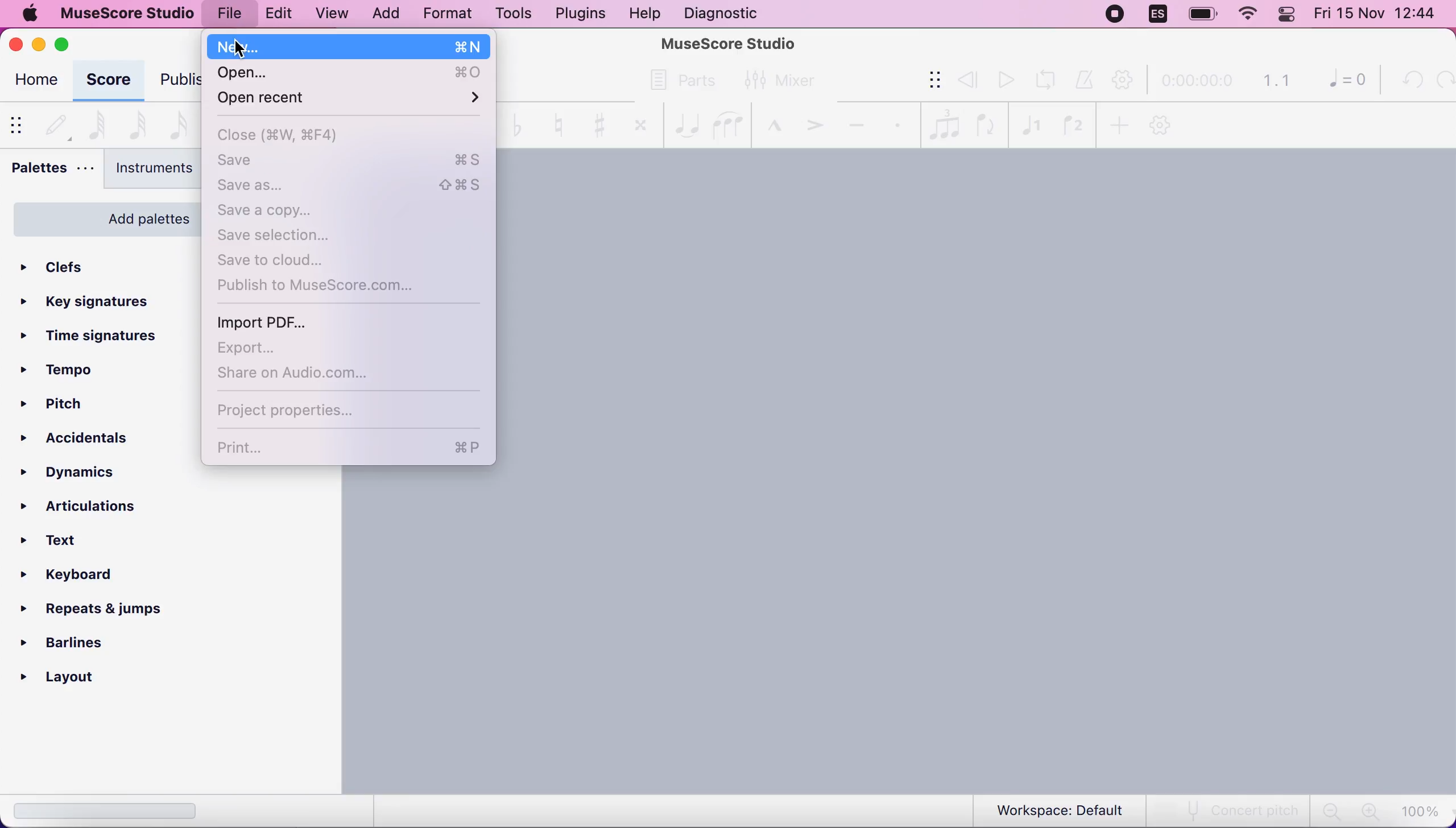 The image size is (1456, 828). What do you see at coordinates (725, 13) in the screenshot?
I see `diagnostic` at bounding box center [725, 13].